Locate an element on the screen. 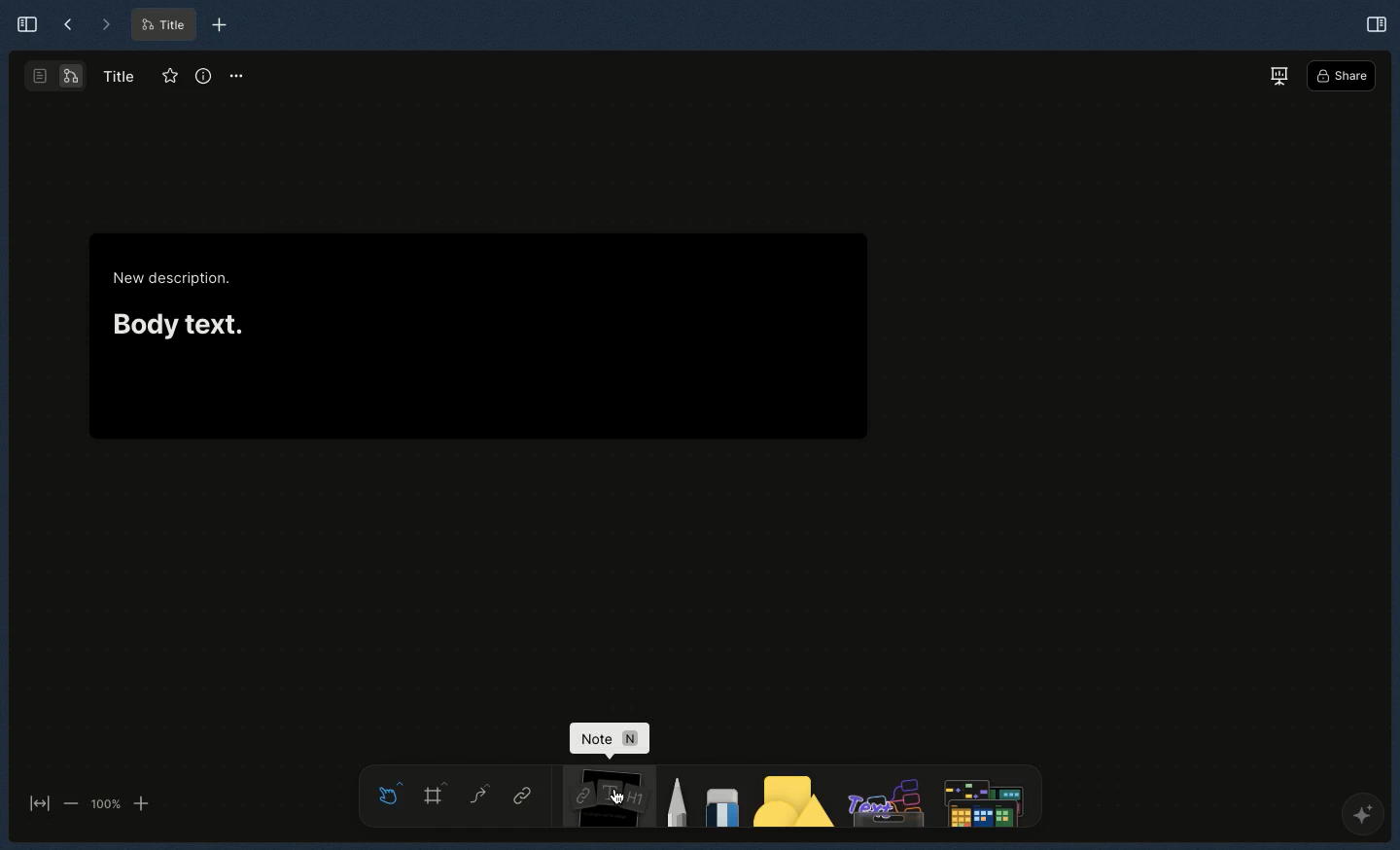  Back is located at coordinates (68, 25).